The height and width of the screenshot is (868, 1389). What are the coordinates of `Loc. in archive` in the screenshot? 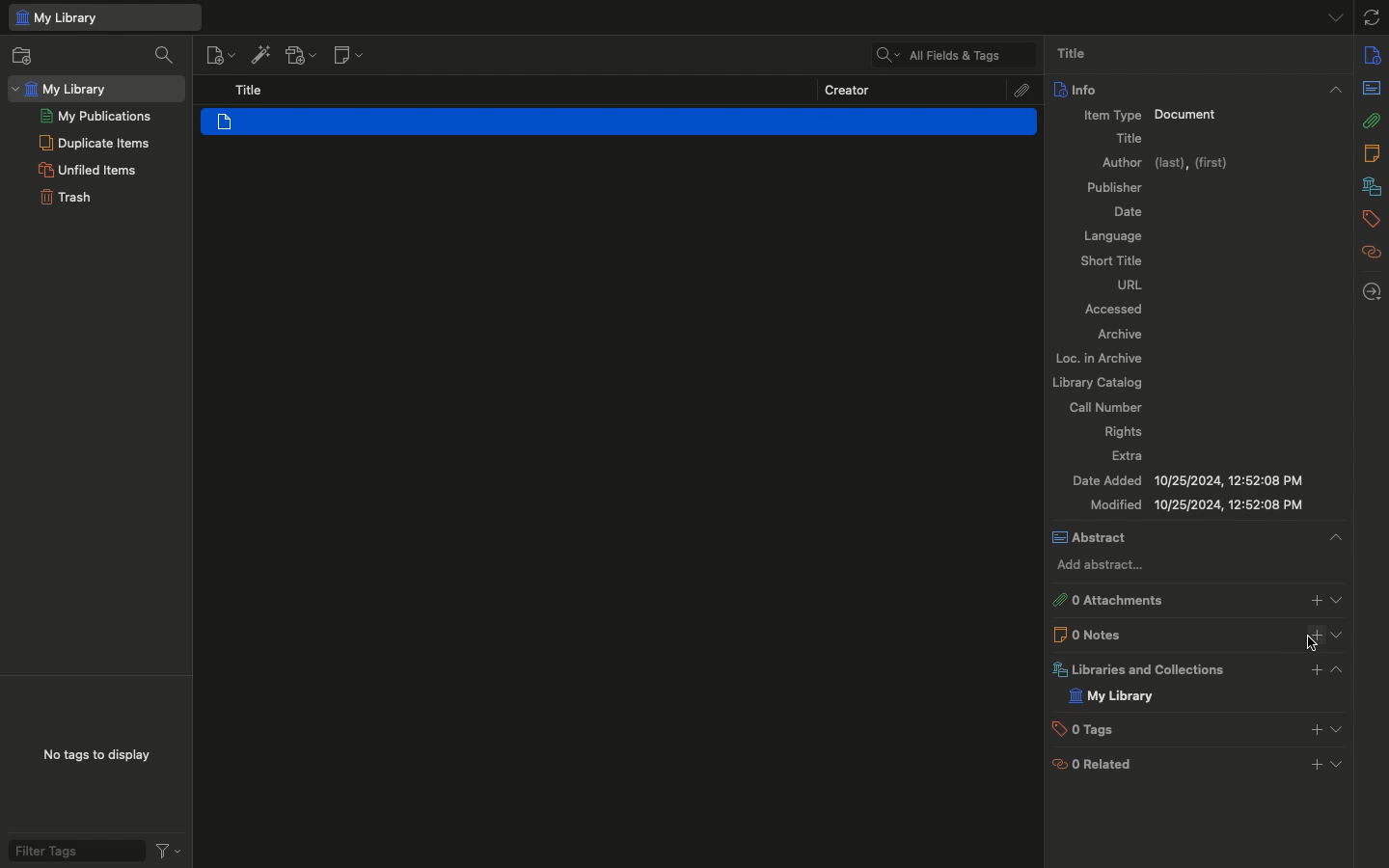 It's located at (1098, 360).